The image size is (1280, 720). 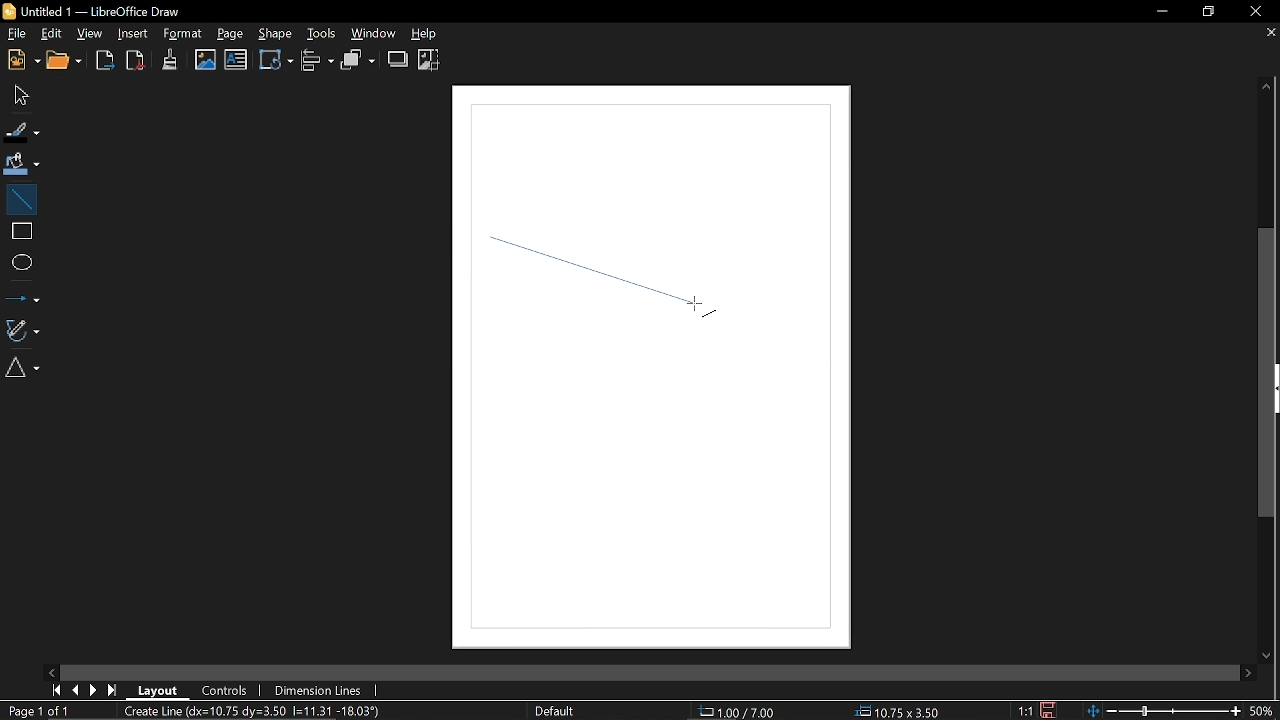 What do you see at coordinates (206, 60) in the screenshot?
I see `Insert image` at bounding box center [206, 60].